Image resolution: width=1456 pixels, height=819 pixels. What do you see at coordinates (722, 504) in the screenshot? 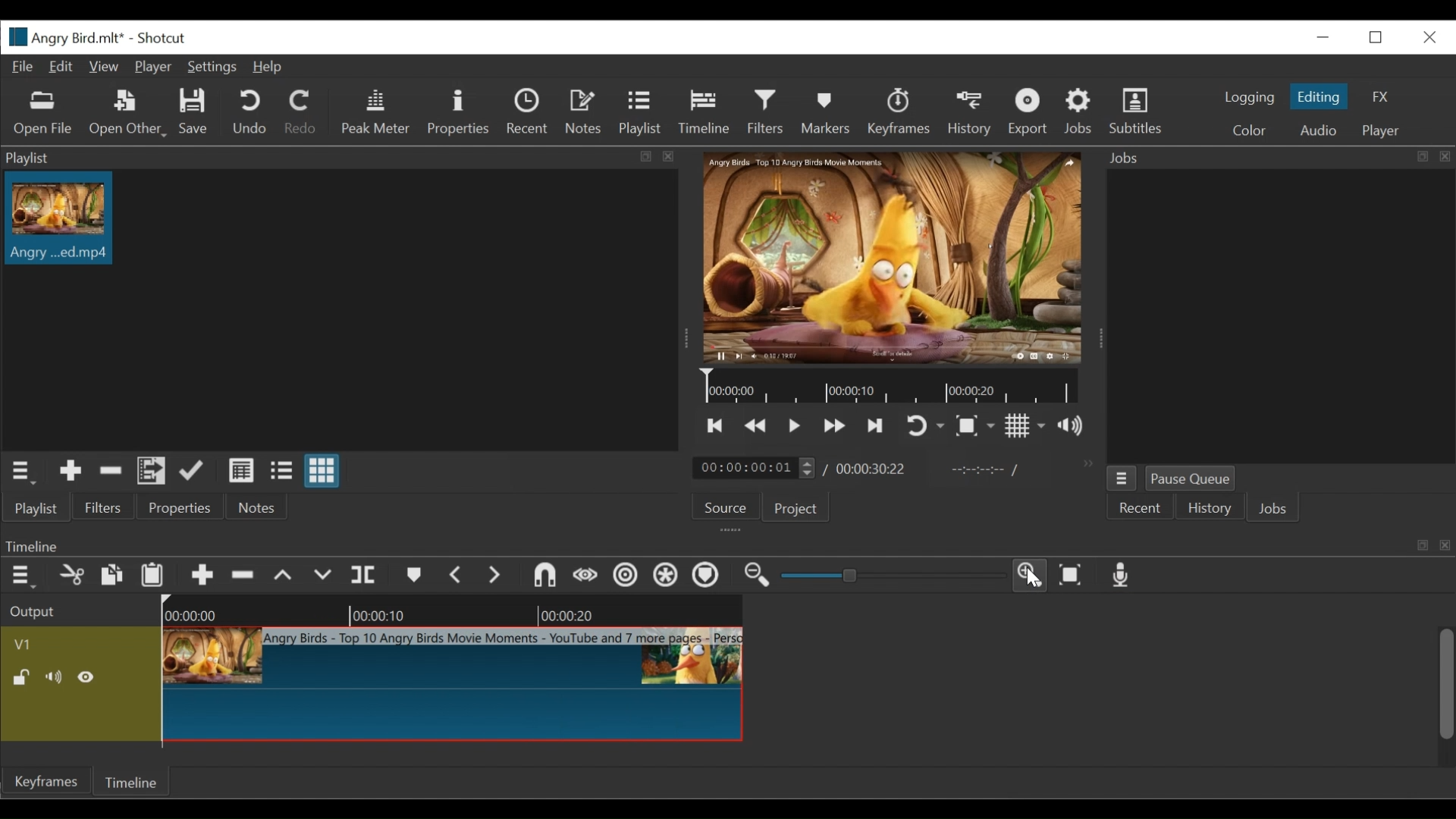
I see `Source` at bounding box center [722, 504].